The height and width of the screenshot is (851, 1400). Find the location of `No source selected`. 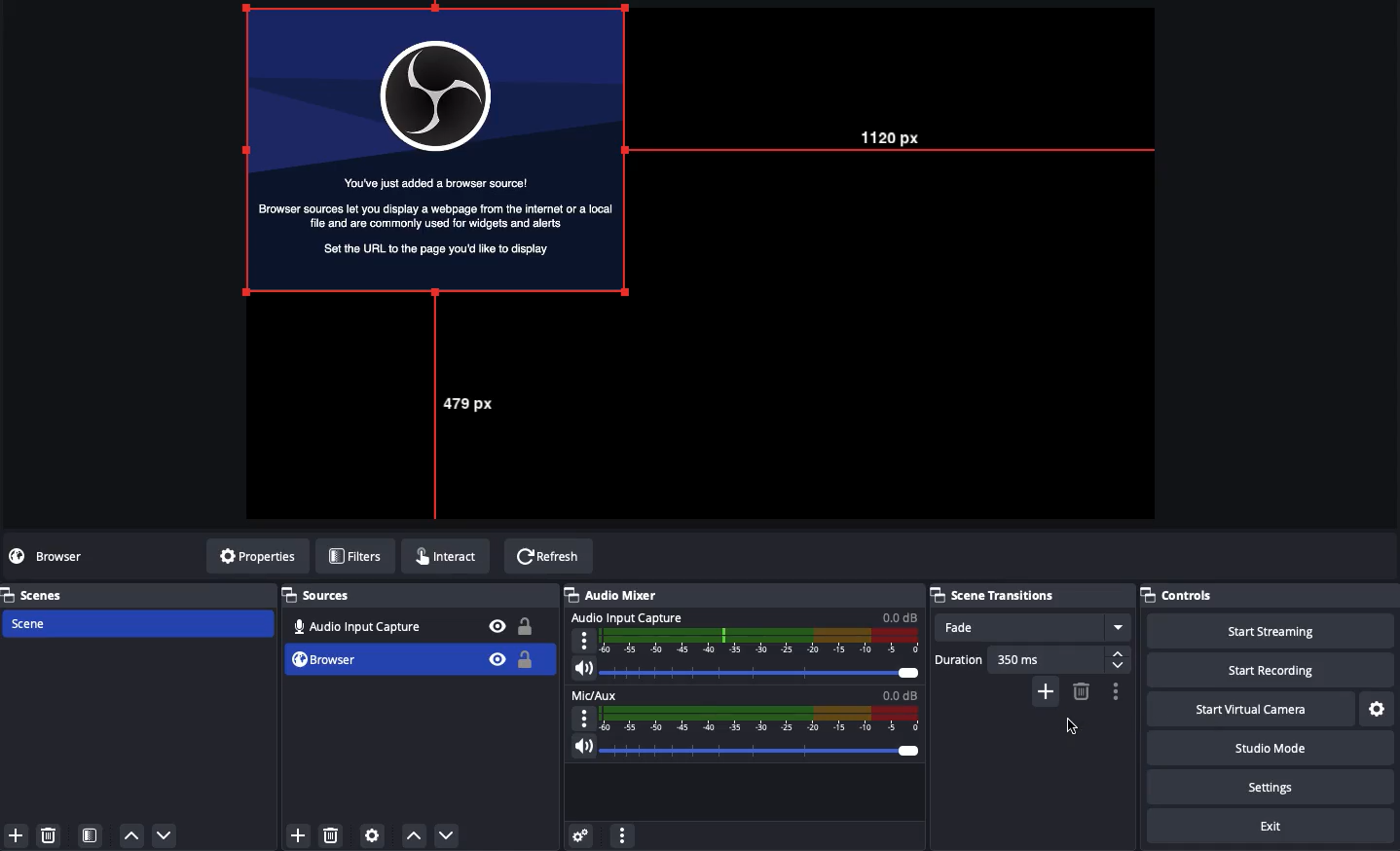

No source selected is located at coordinates (63, 556).